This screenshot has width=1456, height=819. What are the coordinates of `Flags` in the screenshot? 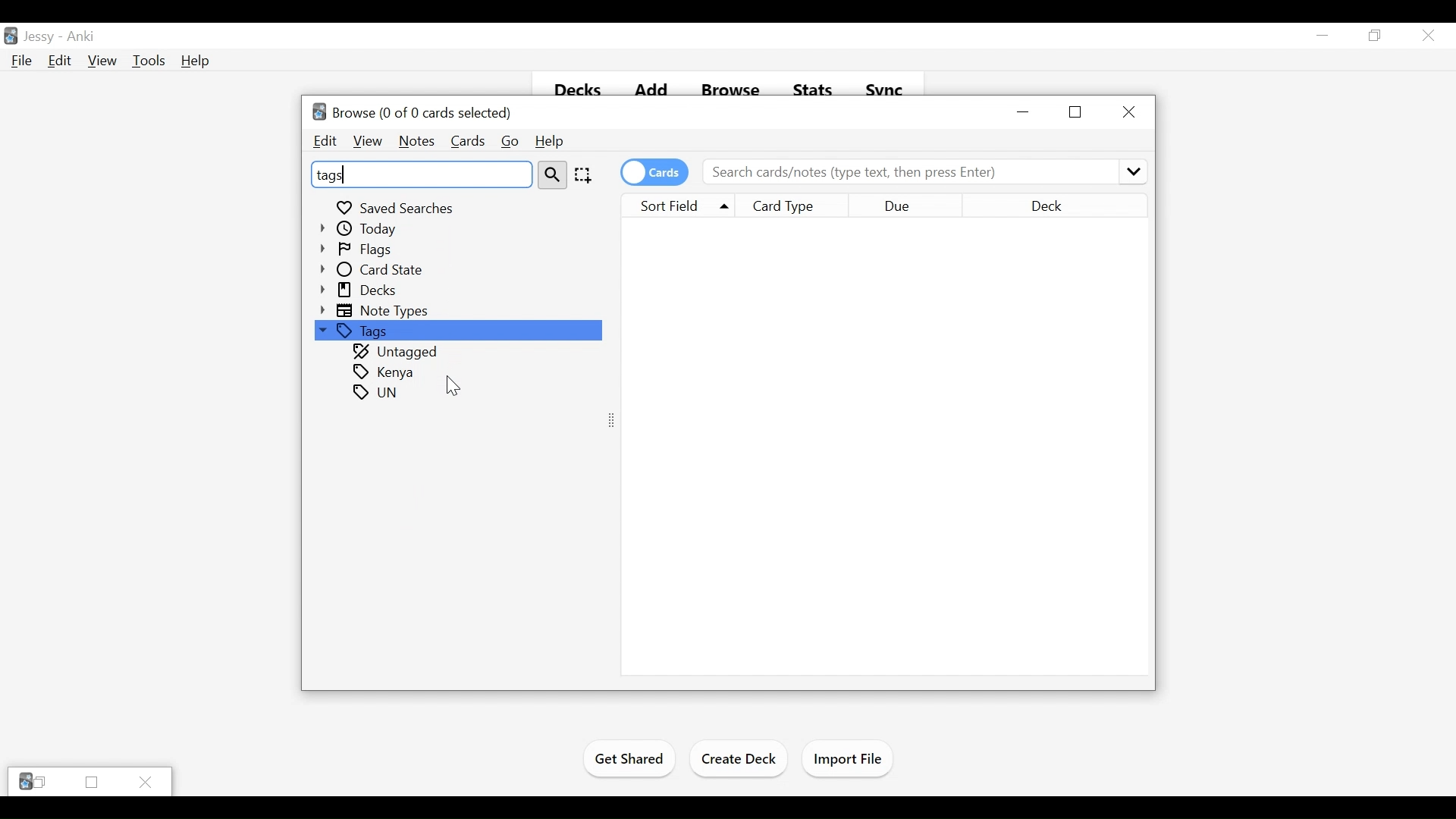 It's located at (360, 249).